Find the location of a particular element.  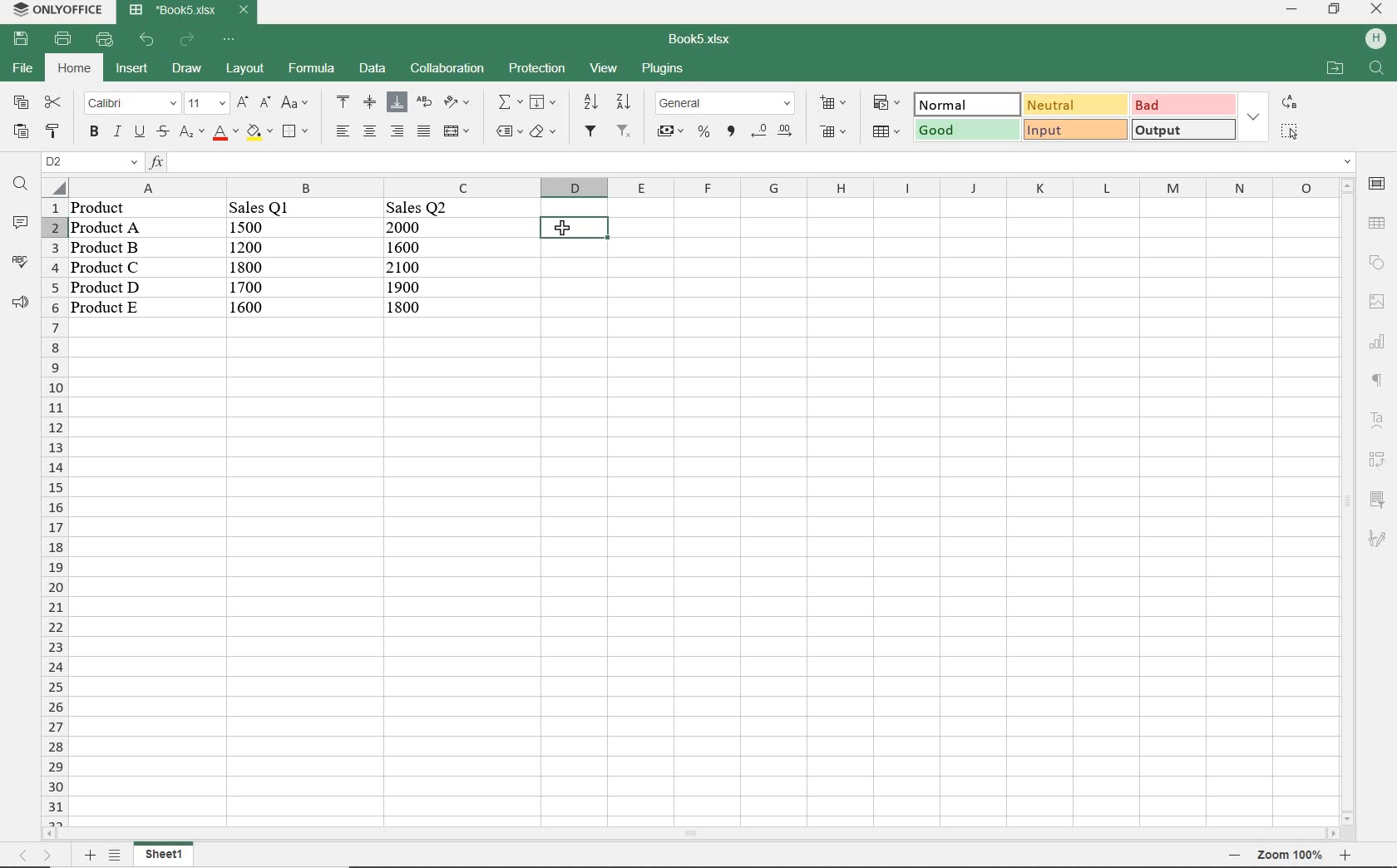

move sheets is located at coordinates (37, 857).